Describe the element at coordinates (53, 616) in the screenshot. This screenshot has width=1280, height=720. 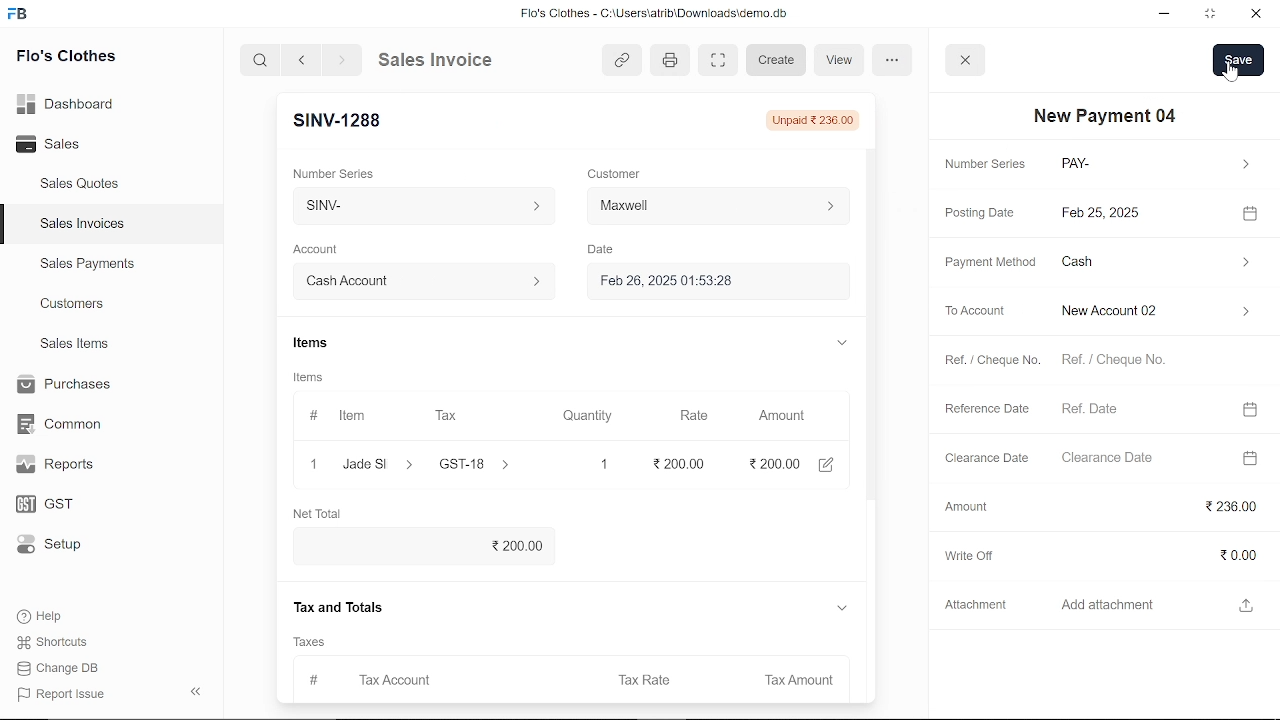
I see `Help` at that location.